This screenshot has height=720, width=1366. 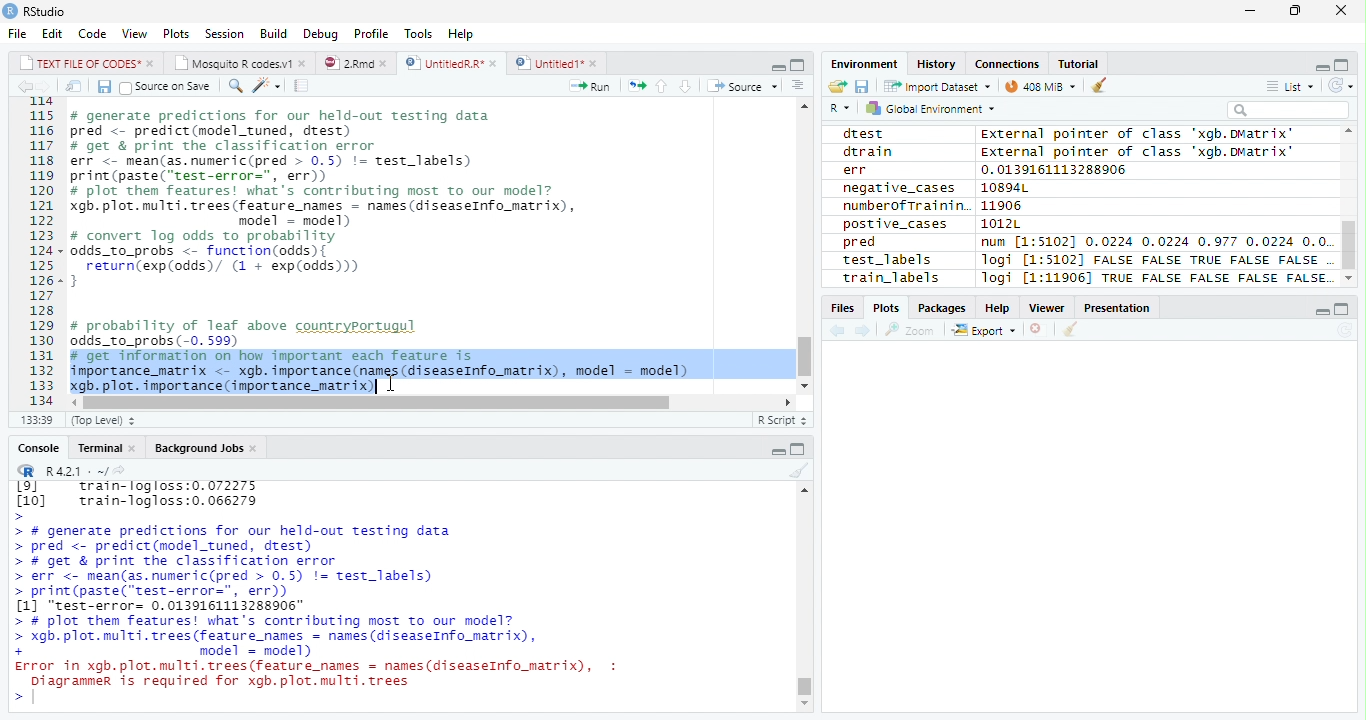 I want to click on Terminal, so click(x=105, y=449).